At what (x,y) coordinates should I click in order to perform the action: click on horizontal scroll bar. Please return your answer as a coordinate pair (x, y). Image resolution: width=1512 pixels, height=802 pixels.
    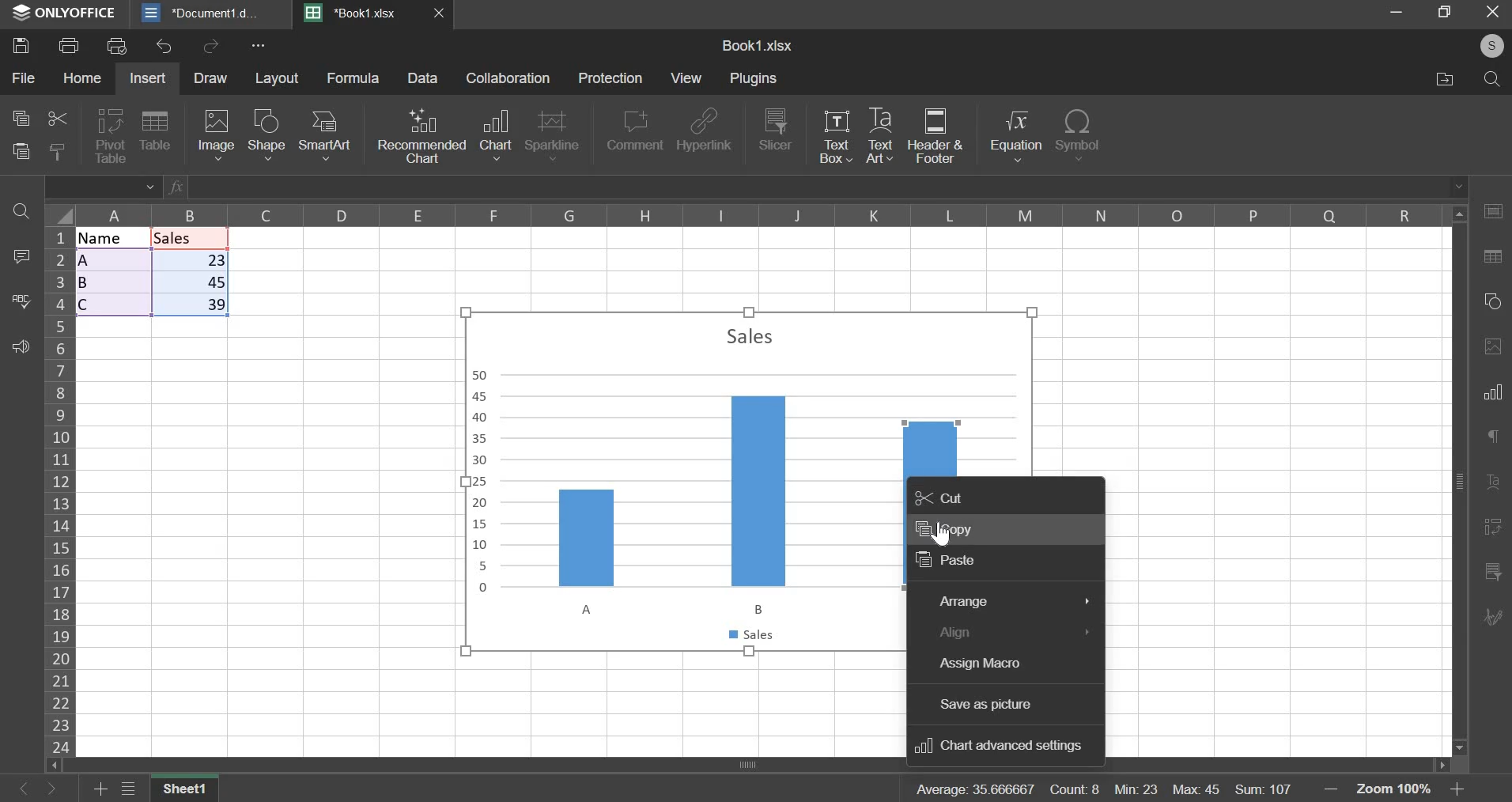
    Looking at the image, I should click on (472, 765).